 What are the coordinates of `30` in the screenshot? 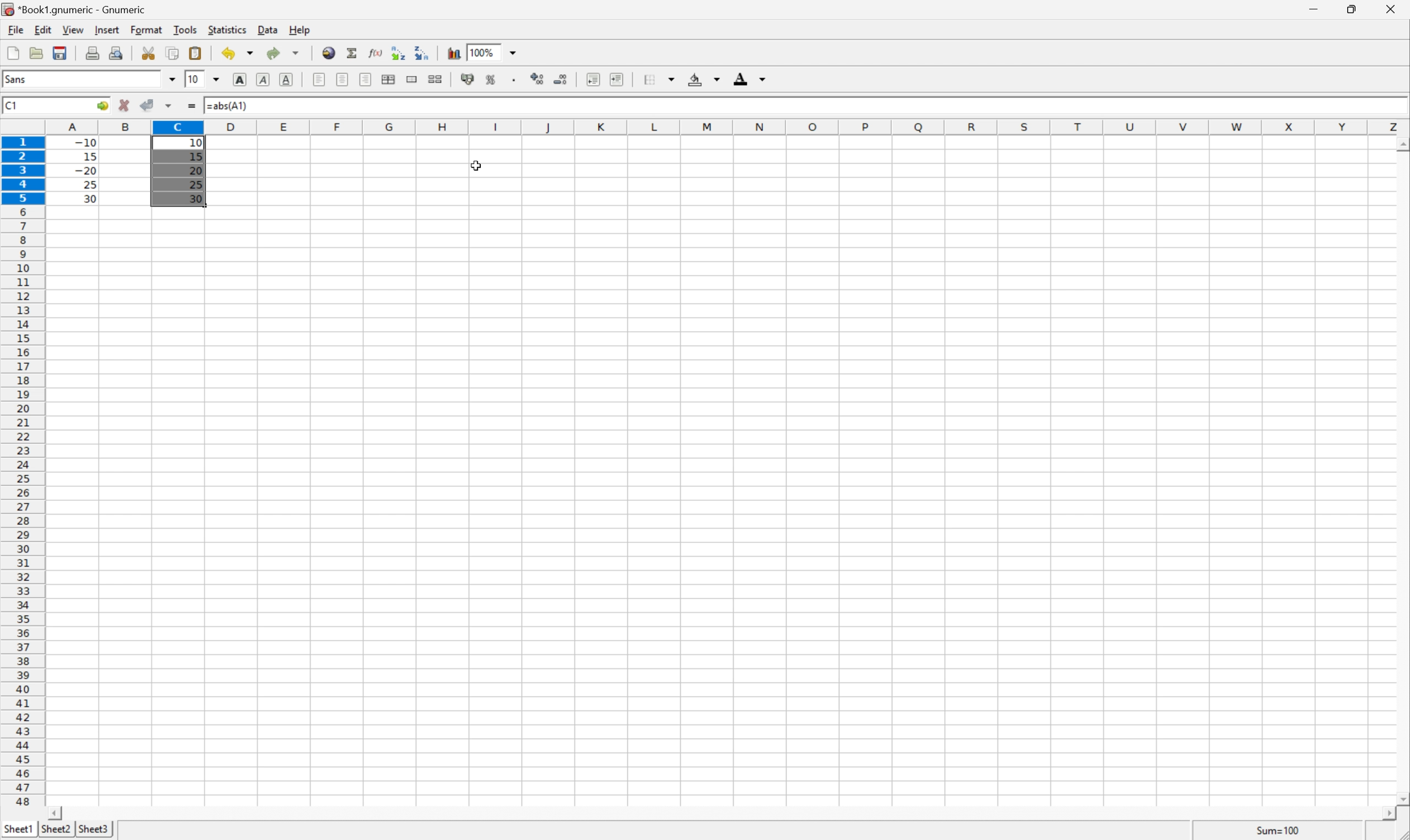 It's located at (198, 201).